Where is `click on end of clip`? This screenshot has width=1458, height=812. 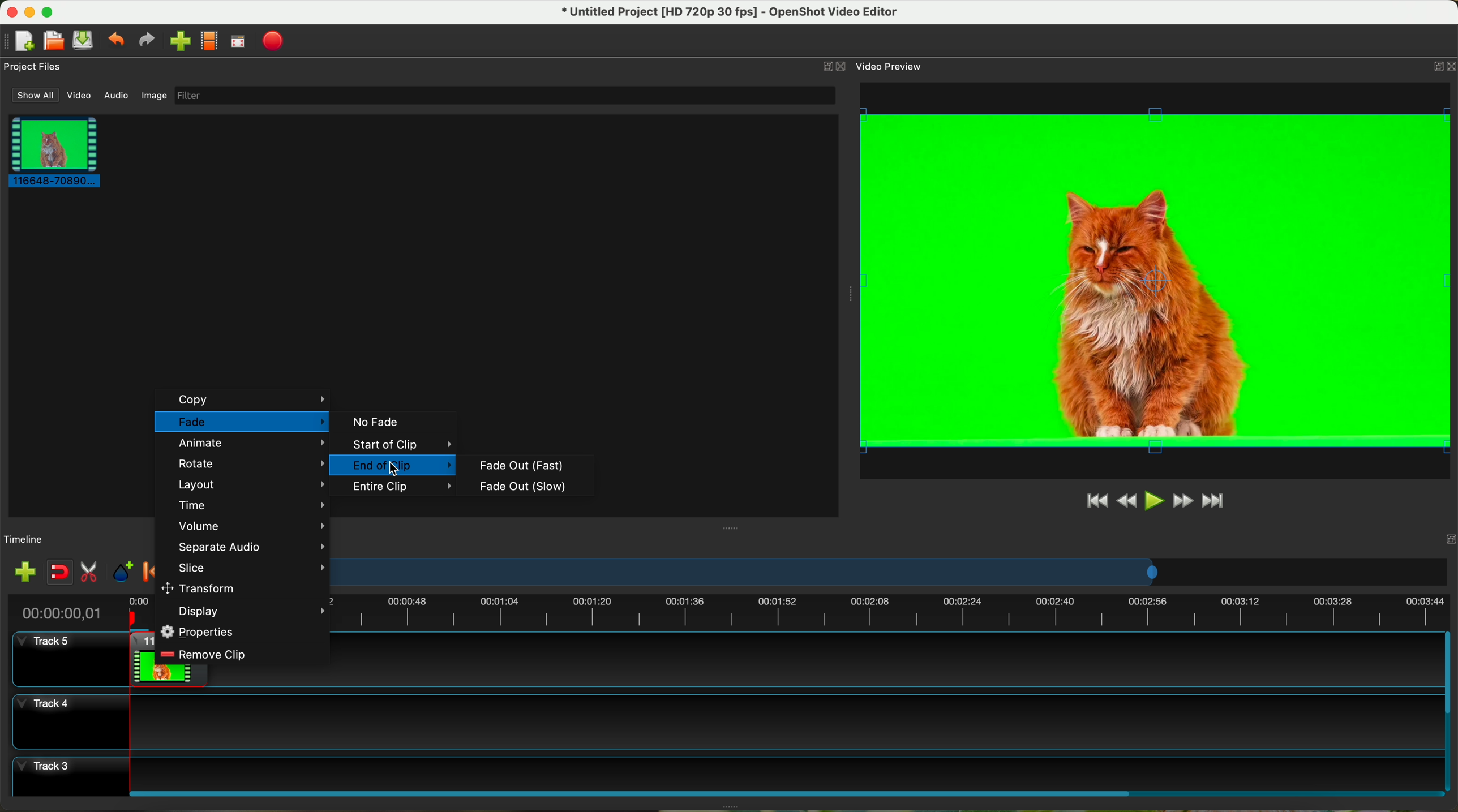 click on end of clip is located at coordinates (392, 466).